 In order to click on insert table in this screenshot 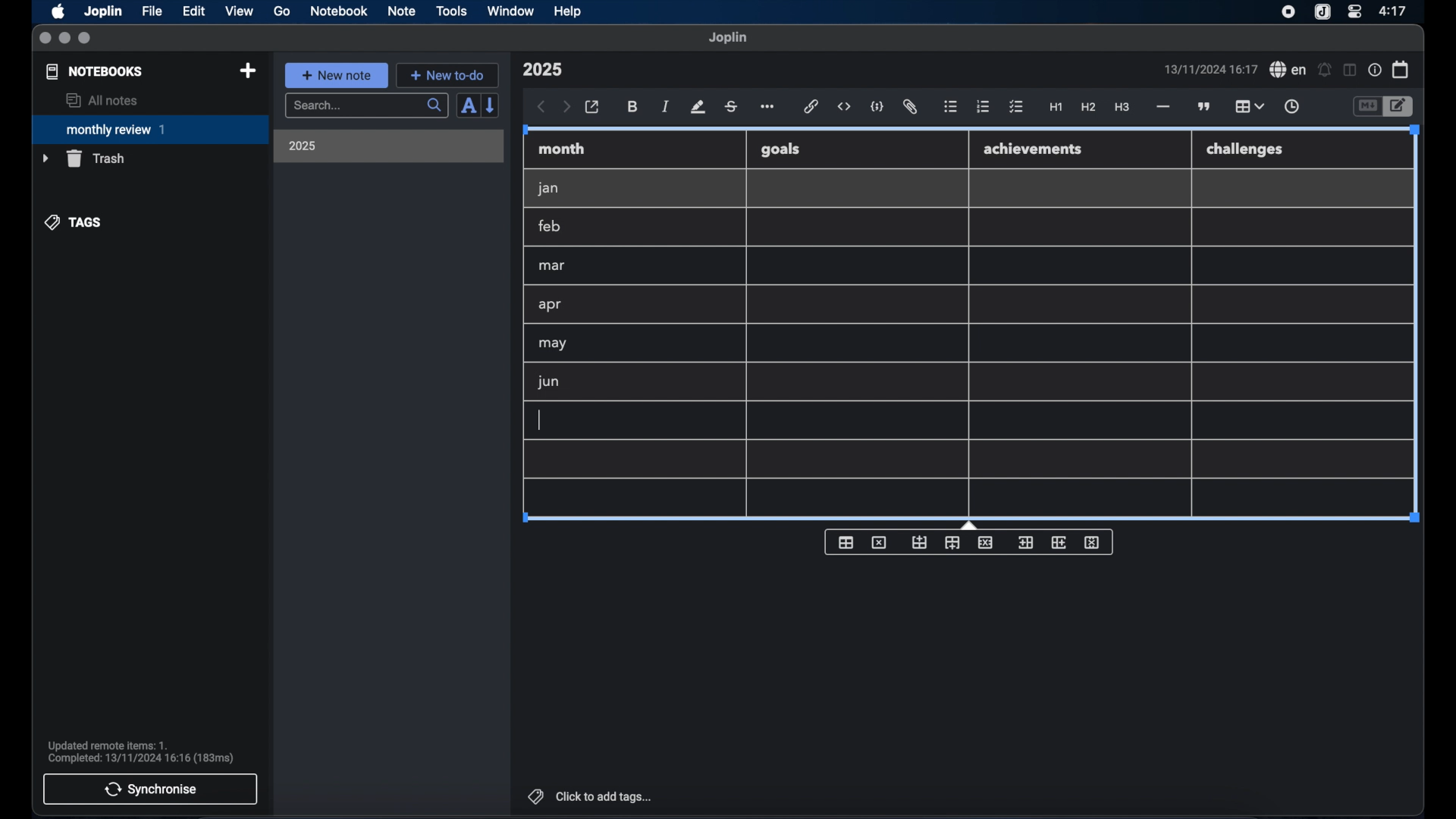, I will do `click(846, 542)`.